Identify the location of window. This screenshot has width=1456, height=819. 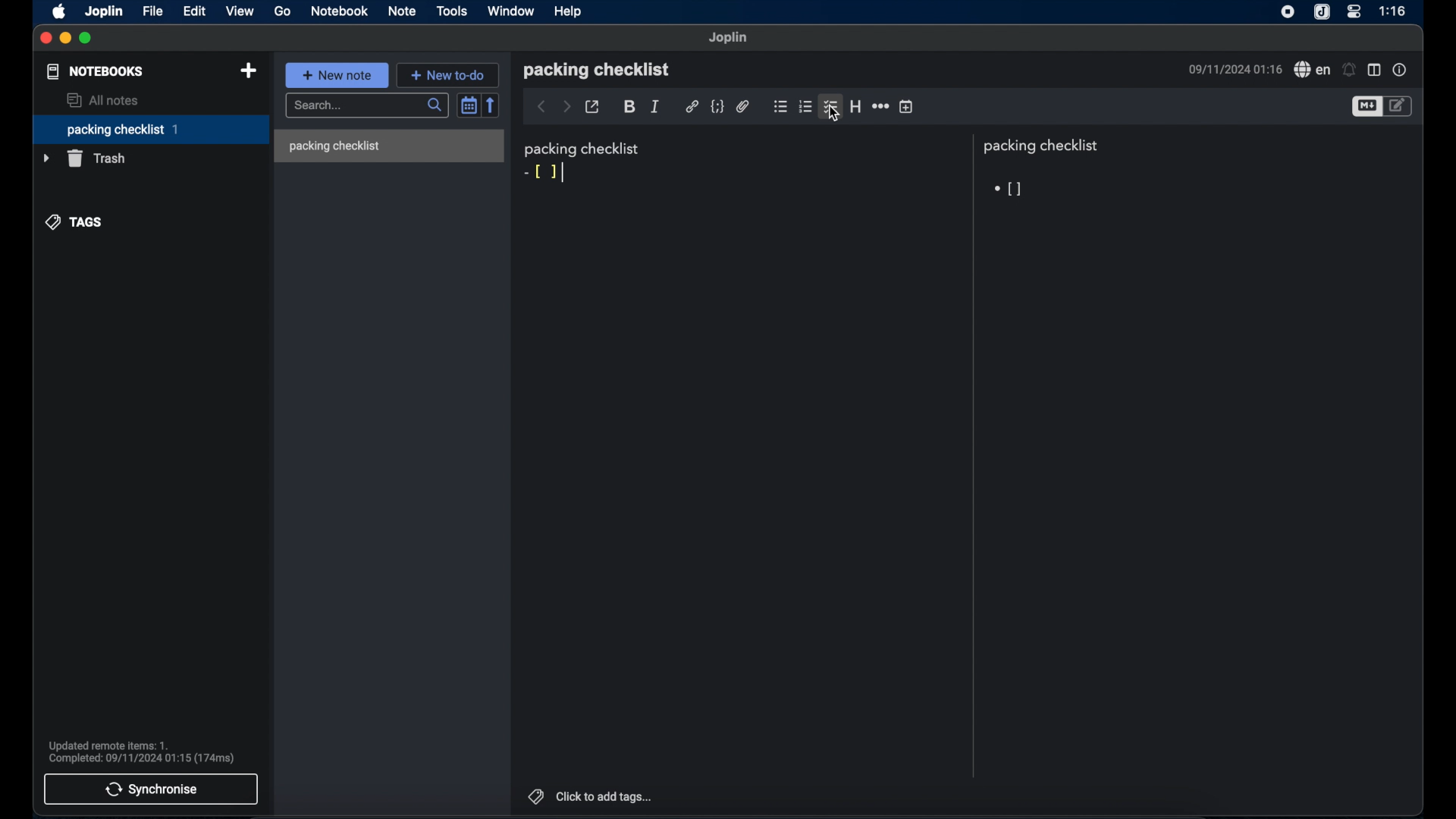
(510, 11).